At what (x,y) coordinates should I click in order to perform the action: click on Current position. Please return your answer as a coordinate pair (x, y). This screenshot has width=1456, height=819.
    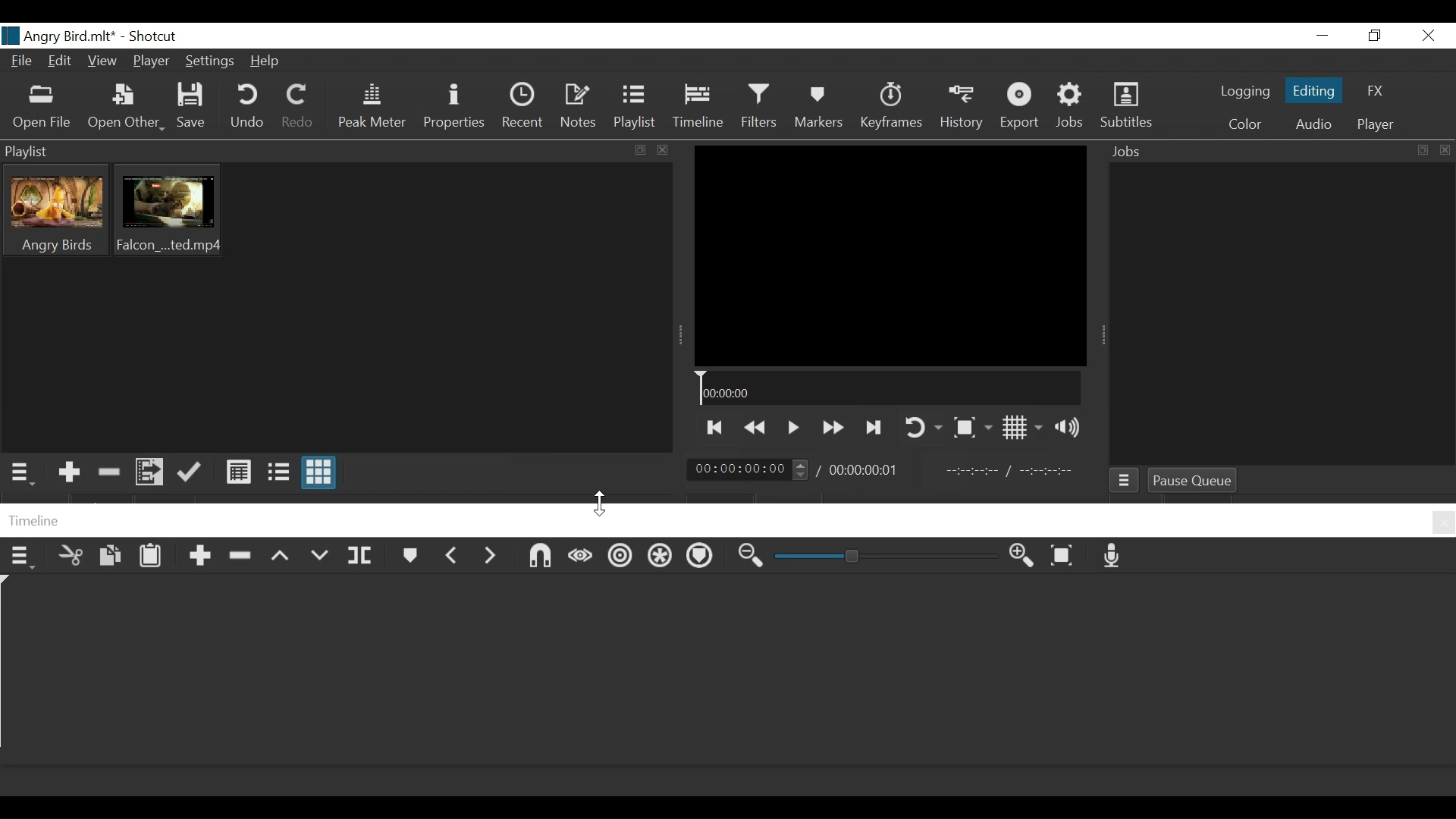
    Looking at the image, I should click on (745, 470).